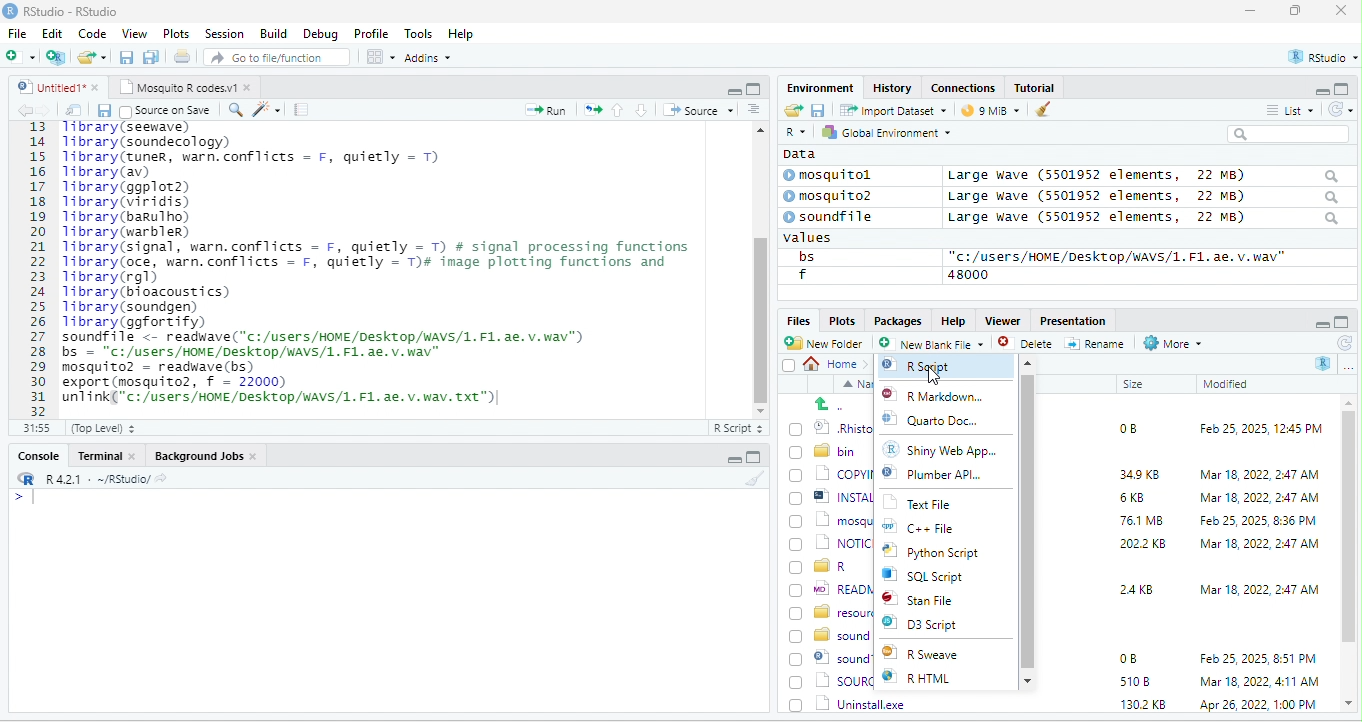 Image resolution: width=1362 pixels, height=722 pixels. Describe the element at coordinates (371, 34) in the screenshot. I see `Profile` at that location.